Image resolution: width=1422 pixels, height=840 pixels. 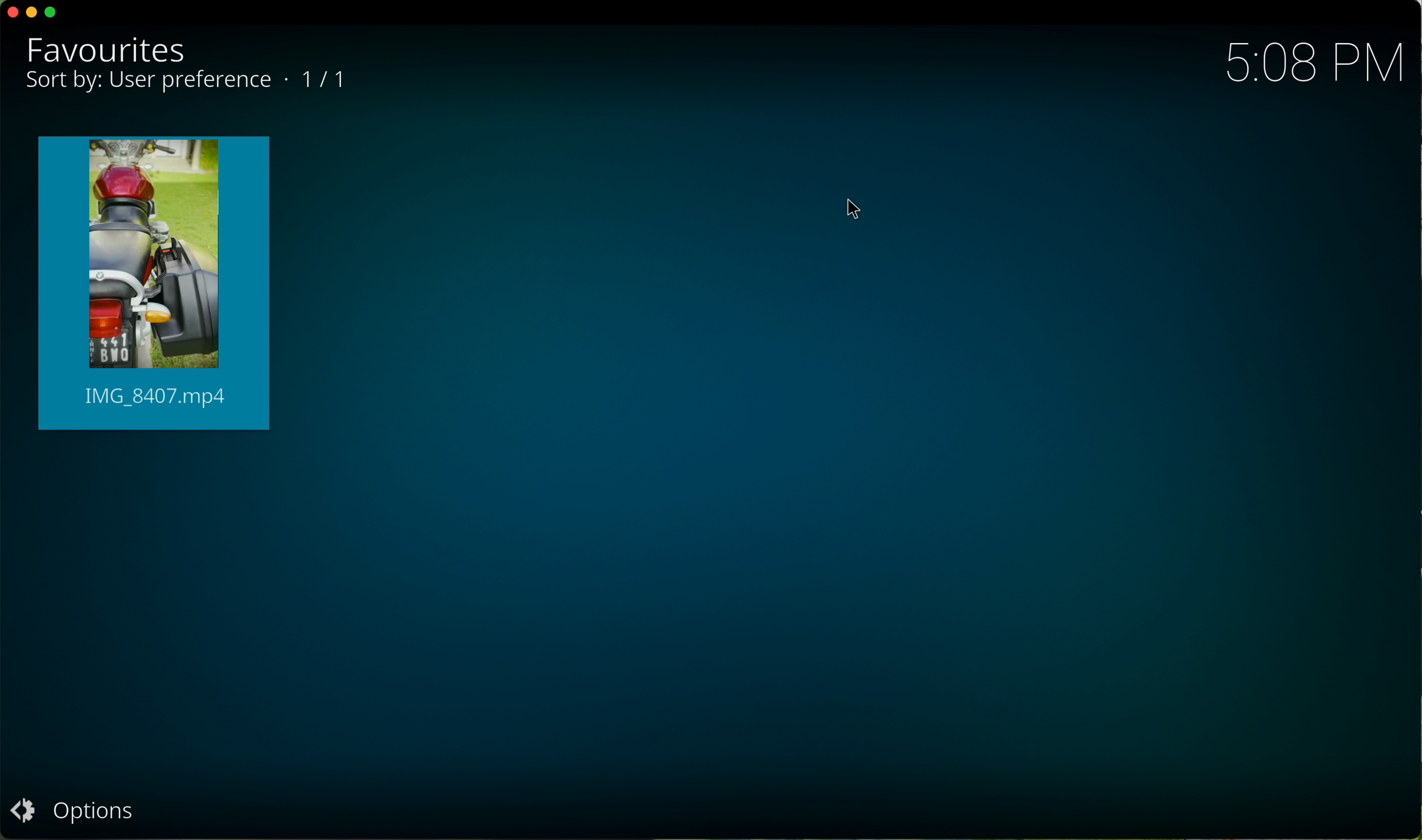 I want to click on sort by user preference, so click(x=148, y=83).